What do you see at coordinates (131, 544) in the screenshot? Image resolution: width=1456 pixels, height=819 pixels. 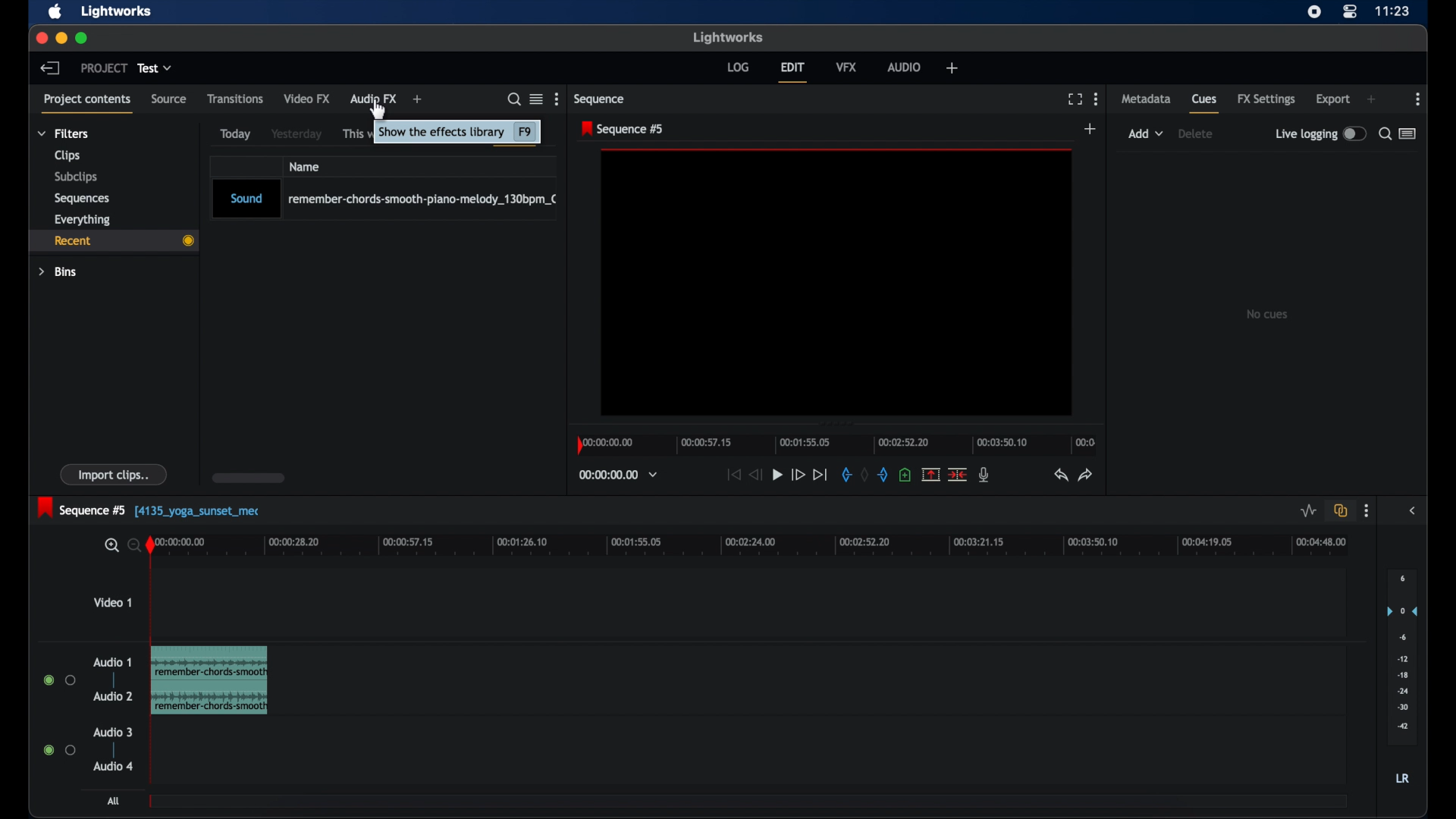 I see `zoom out` at bounding box center [131, 544].